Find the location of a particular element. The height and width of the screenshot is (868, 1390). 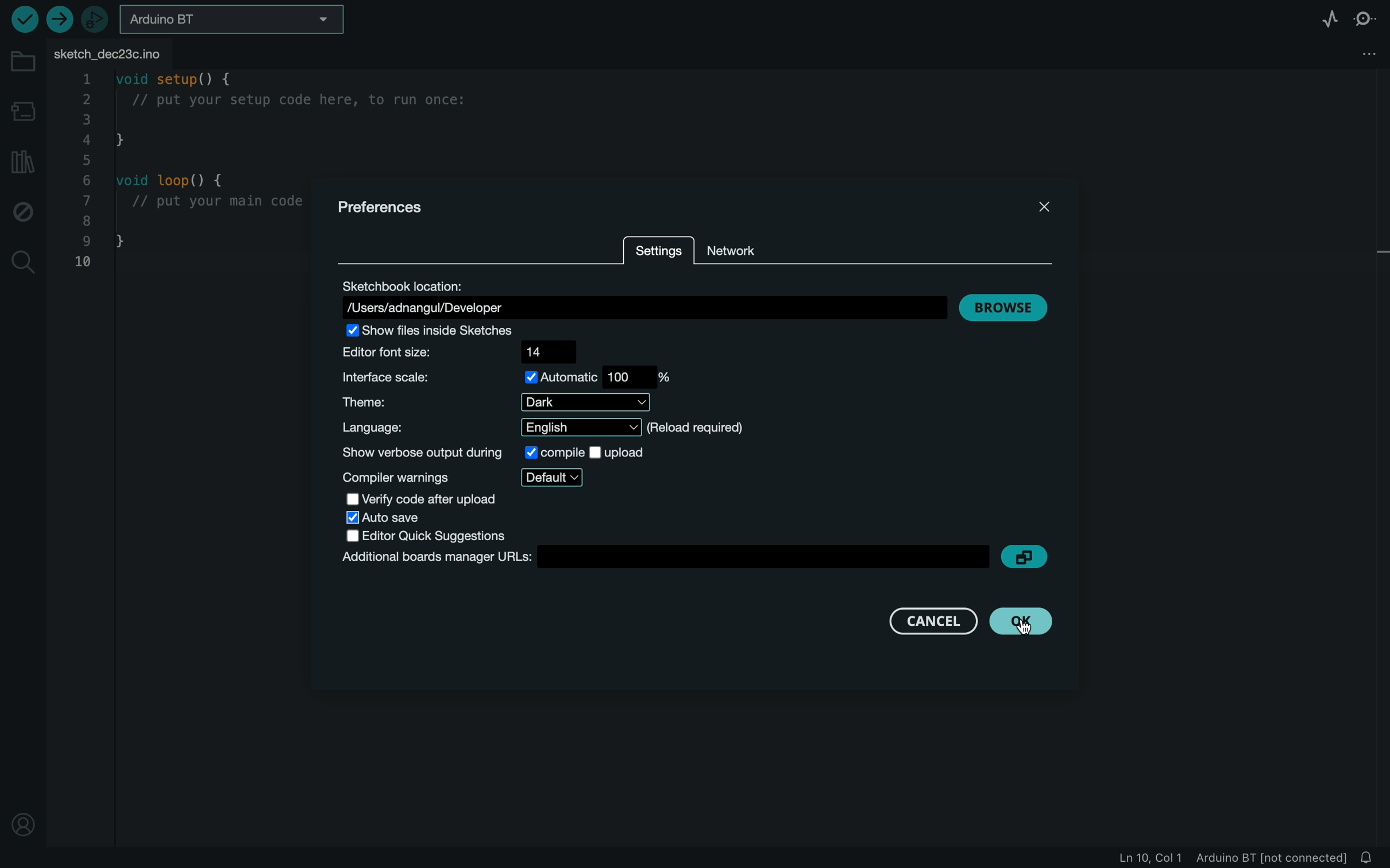

selected is located at coordinates (387, 518).